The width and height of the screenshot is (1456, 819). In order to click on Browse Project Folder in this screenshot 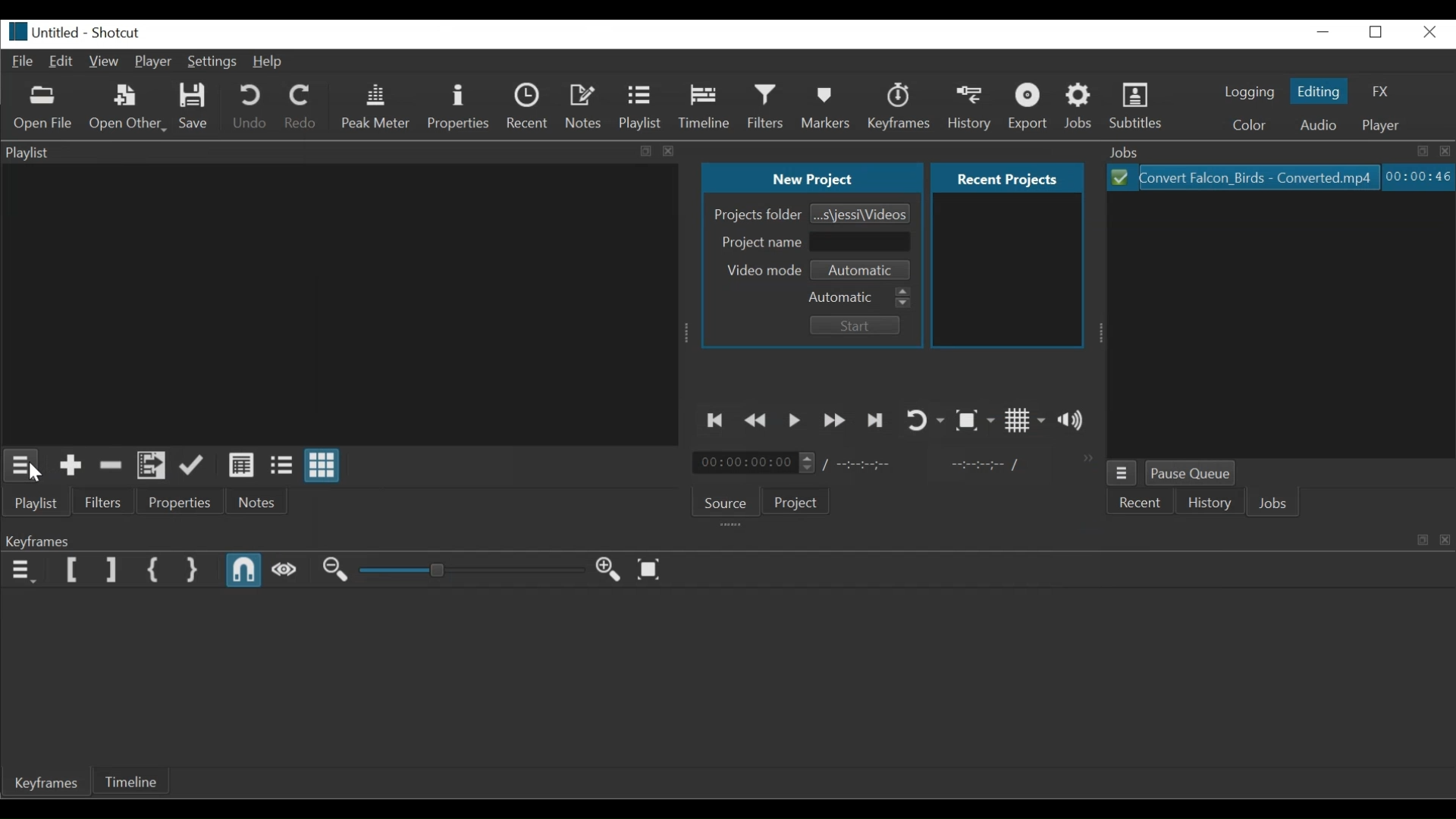, I will do `click(859, 213)`.